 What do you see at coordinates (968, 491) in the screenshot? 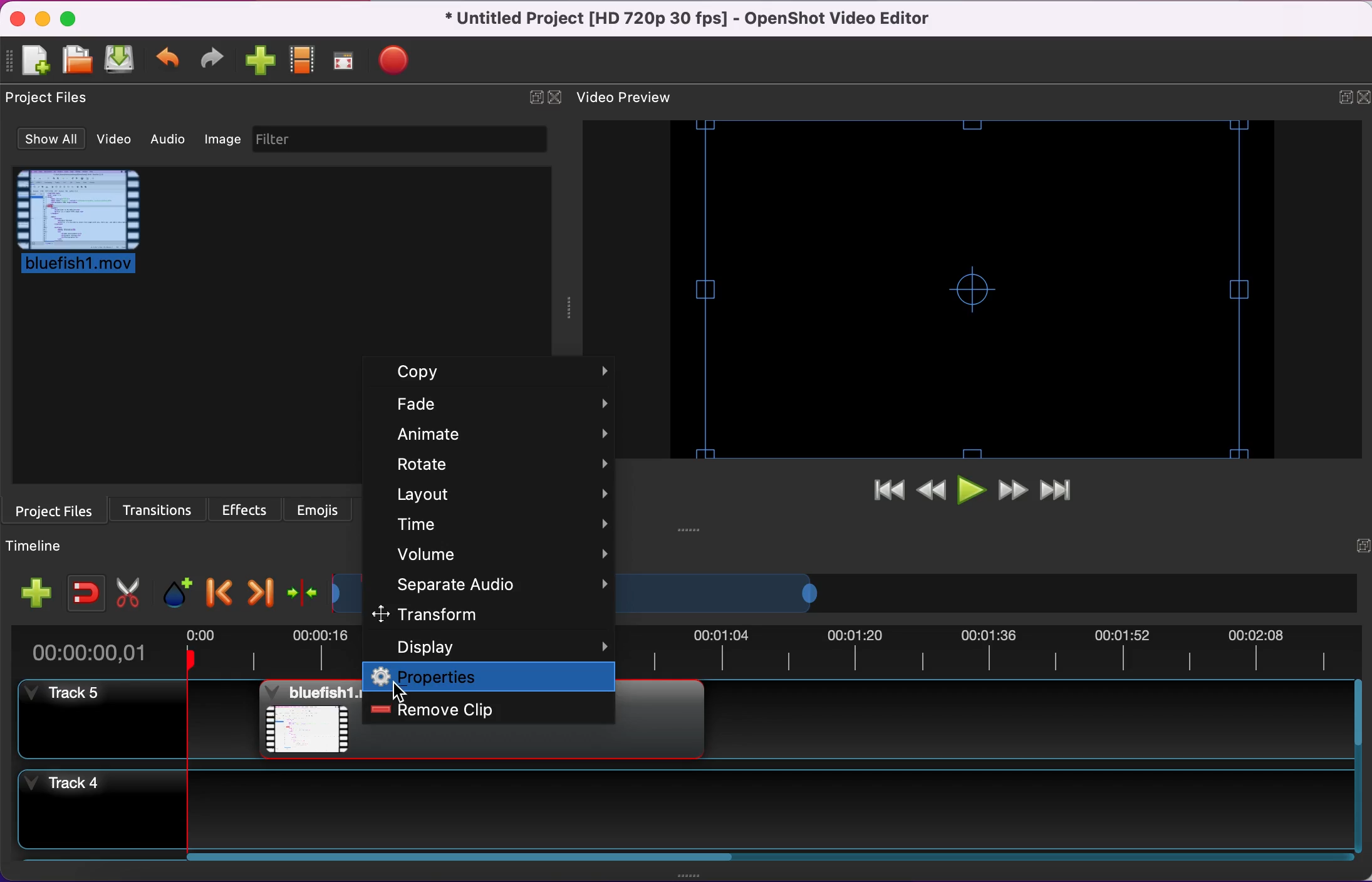
I see `play` at bounding box center [968, 491].